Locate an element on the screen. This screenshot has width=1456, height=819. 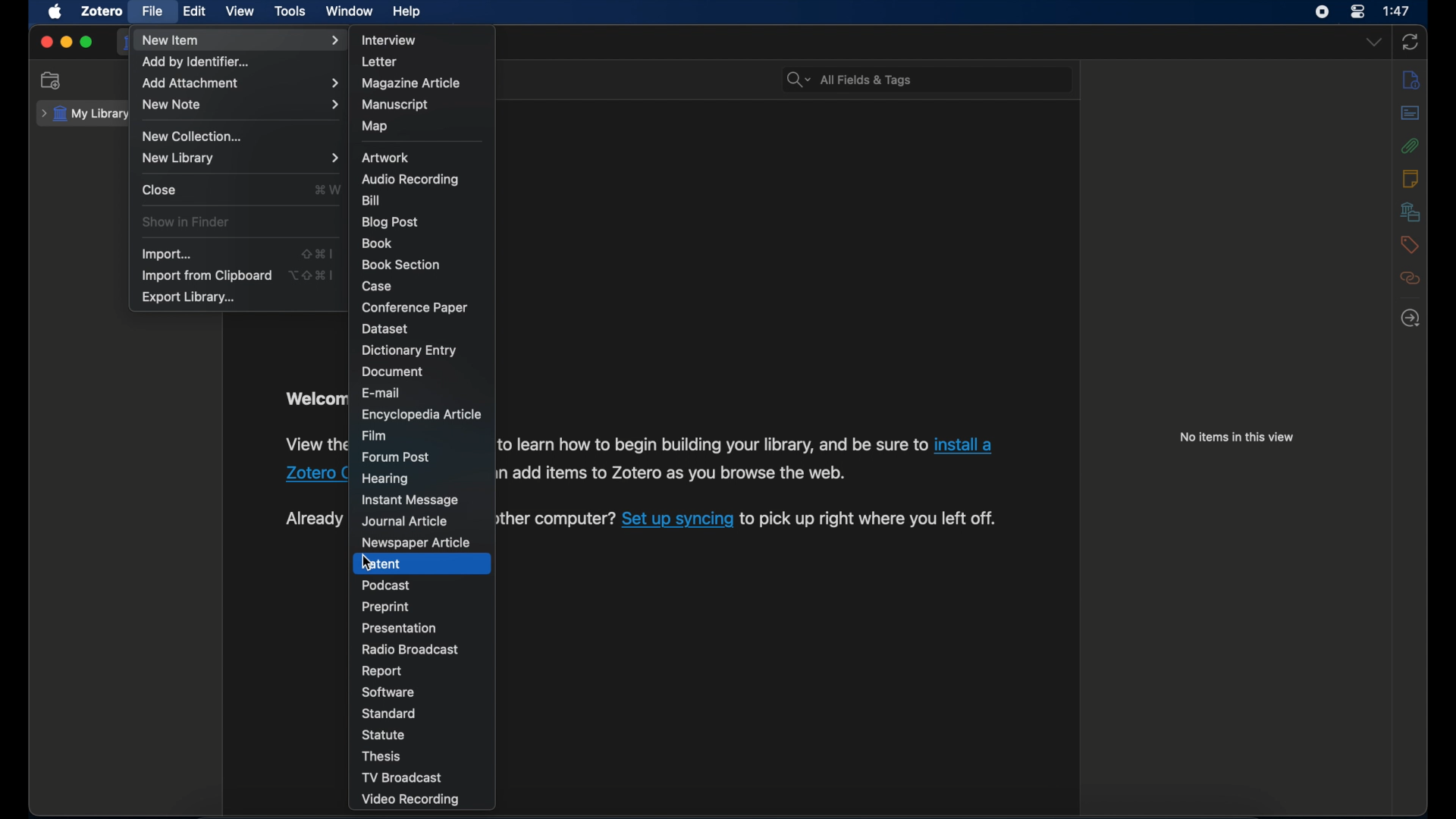
file is located at coordinates (154, 11).